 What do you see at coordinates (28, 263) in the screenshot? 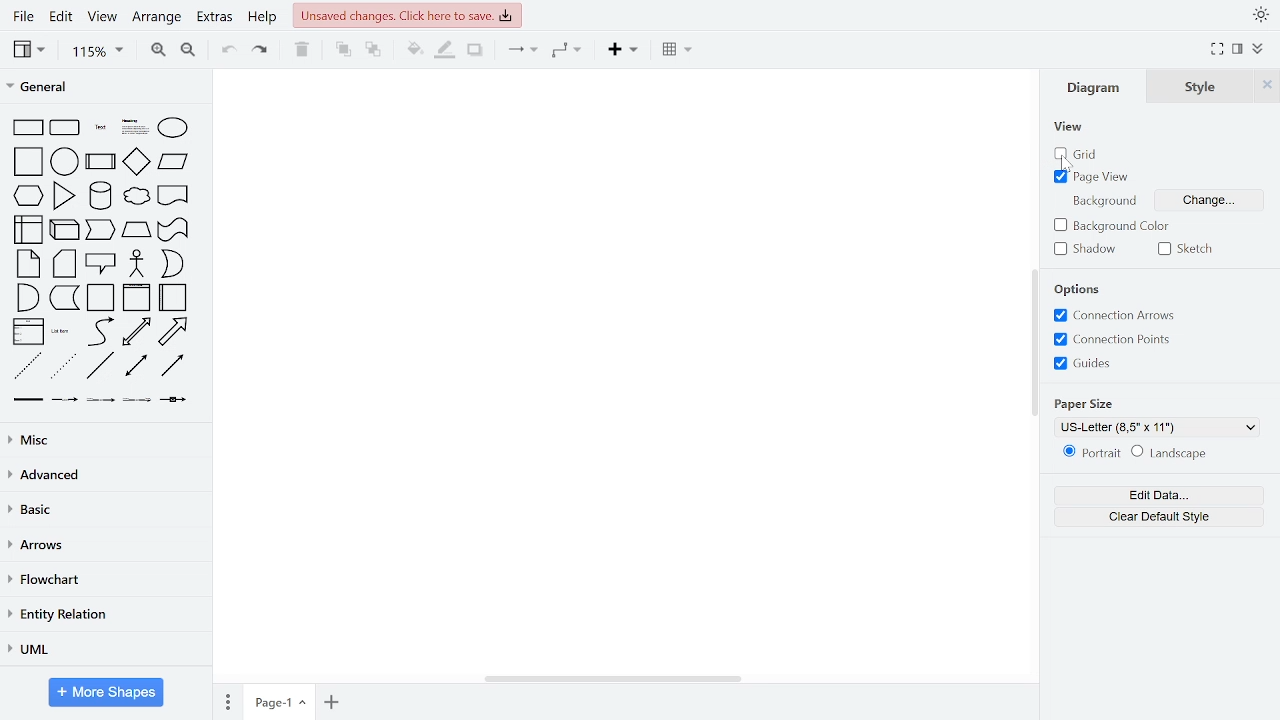
I see `note` at bounding box center [28, 263].